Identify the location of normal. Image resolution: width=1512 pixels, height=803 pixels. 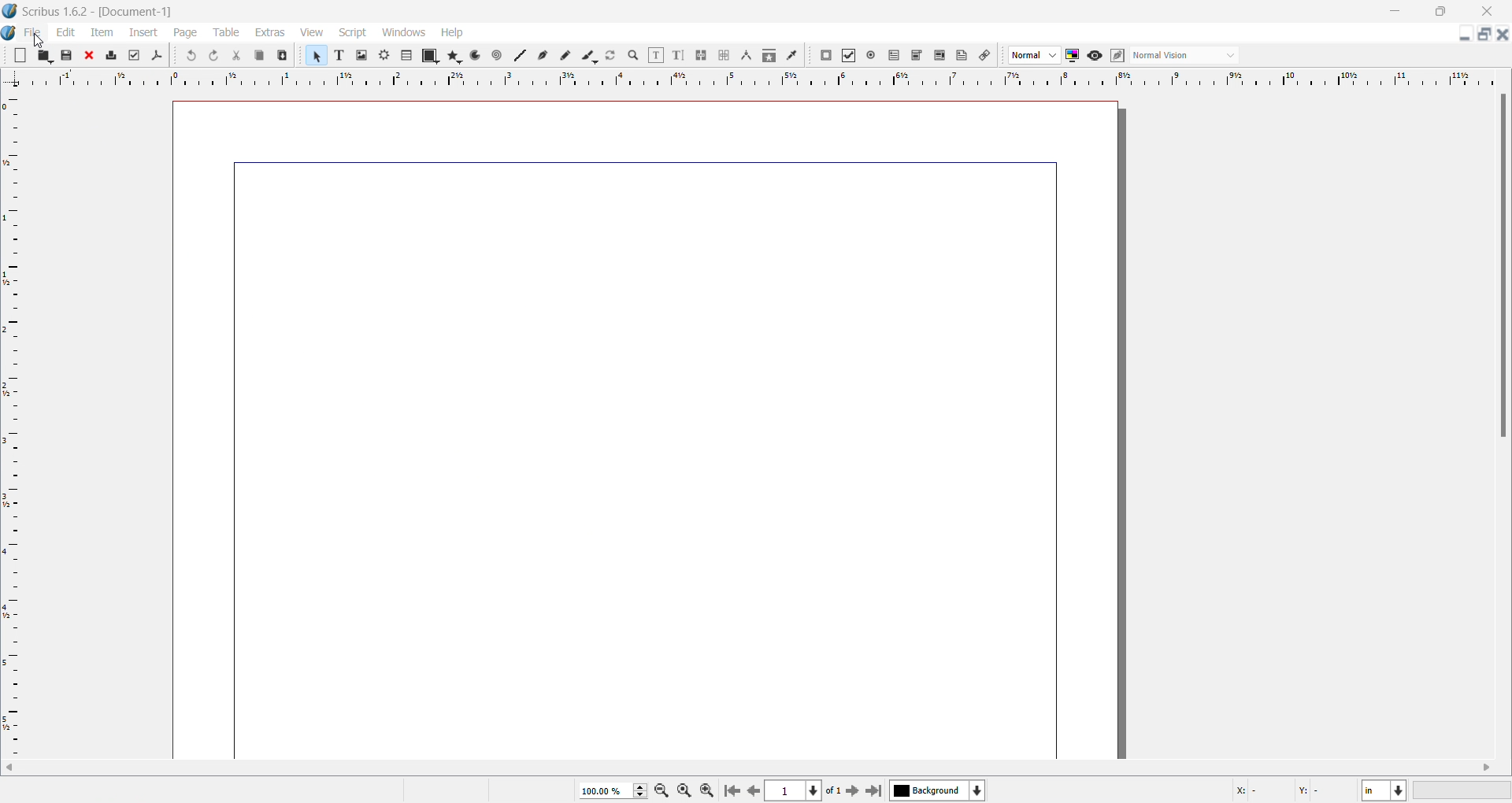
(1177, 55).